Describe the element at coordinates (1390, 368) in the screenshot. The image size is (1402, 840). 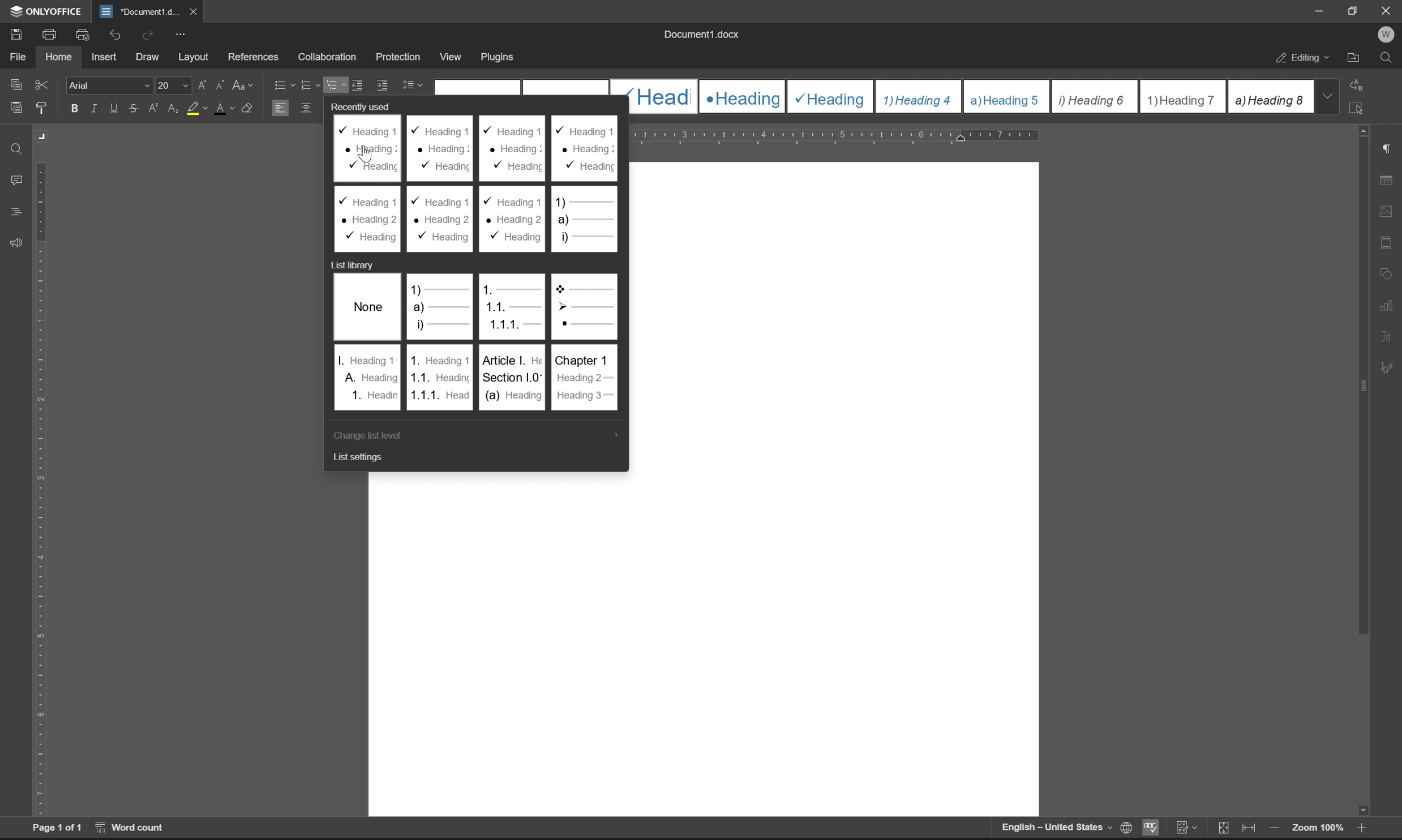
I see `signature settings` at that location.